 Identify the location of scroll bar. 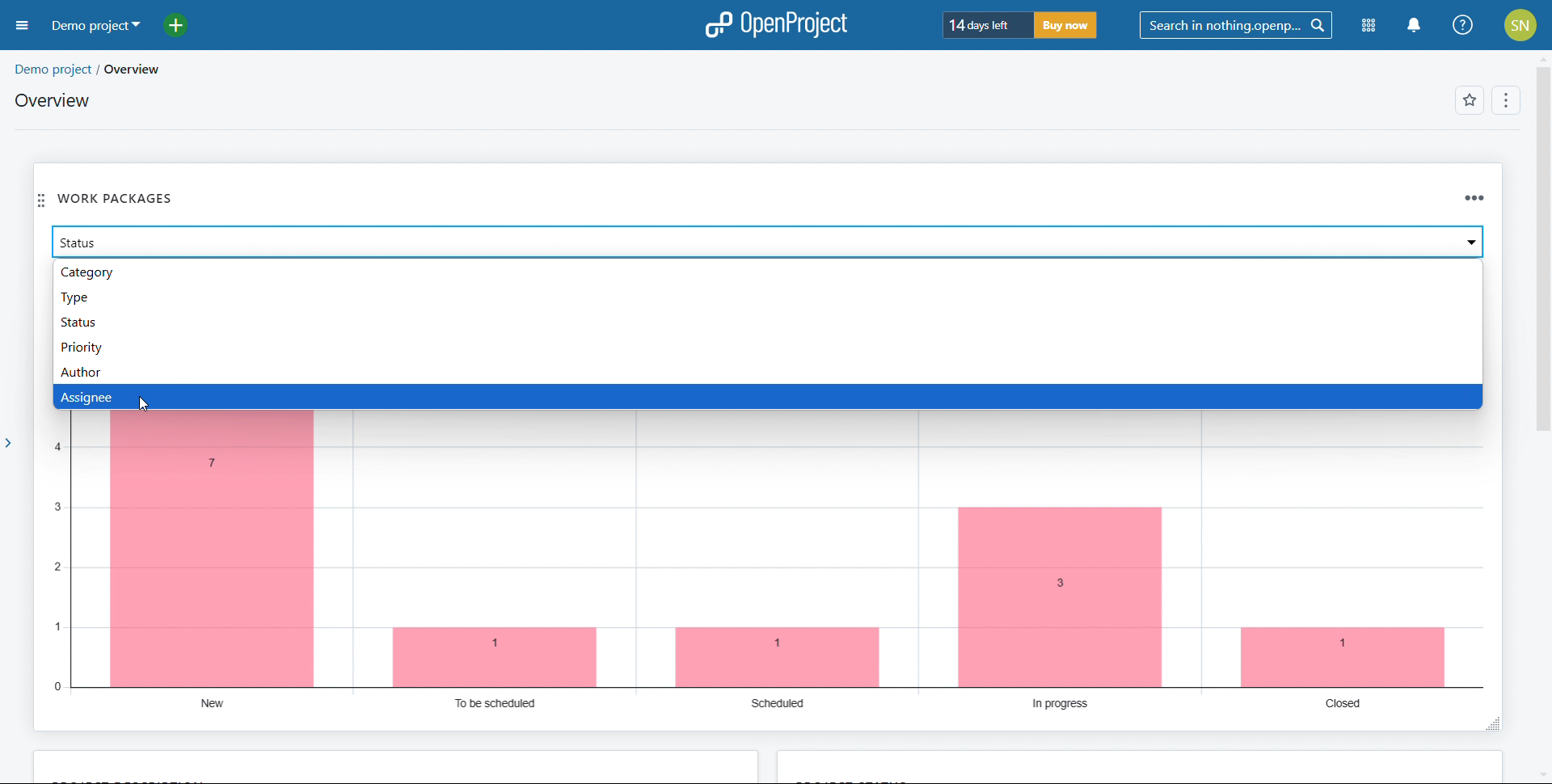
(1542, 234).